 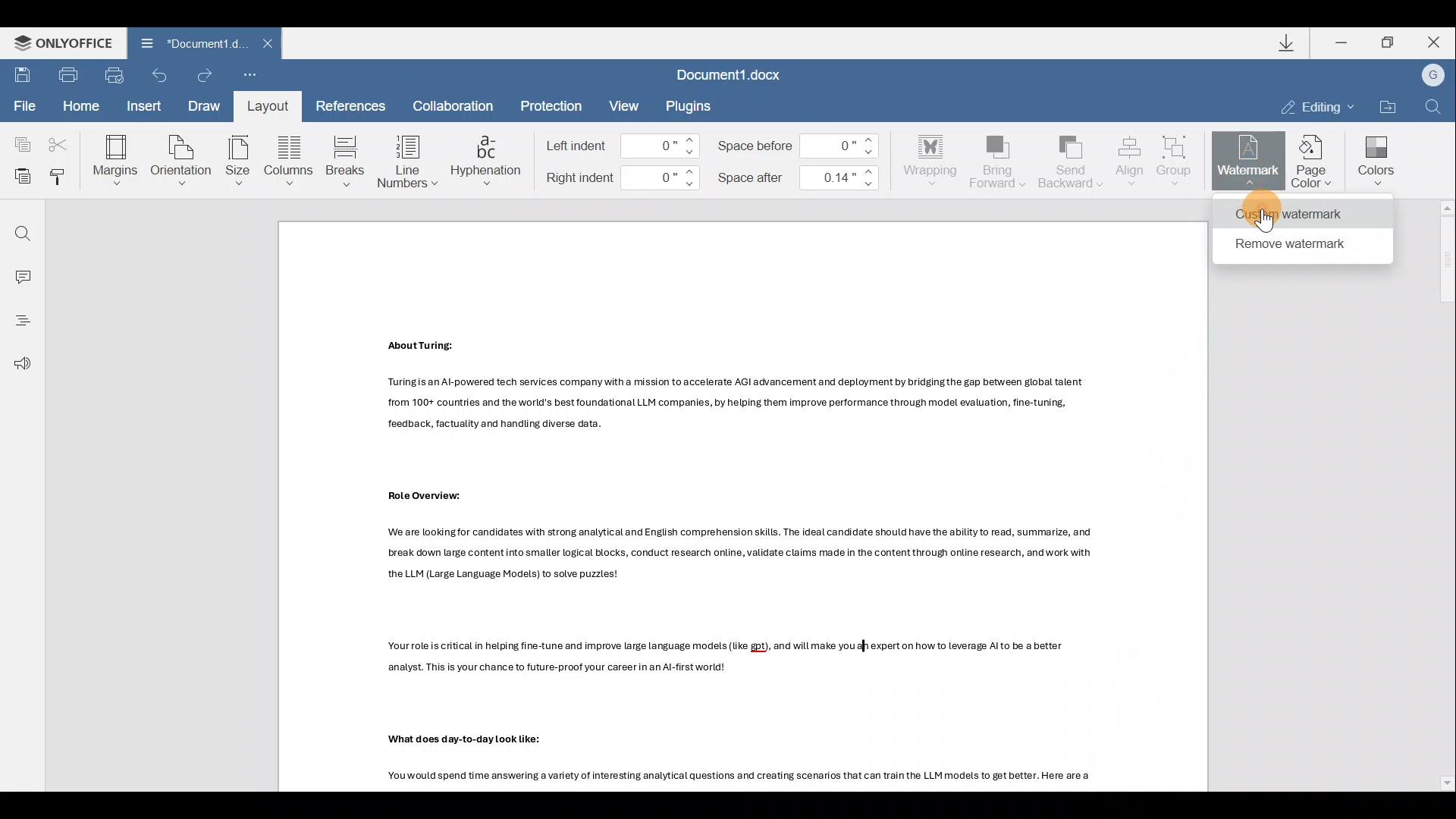 I want to click on Undo, so click(x=162, y=75).